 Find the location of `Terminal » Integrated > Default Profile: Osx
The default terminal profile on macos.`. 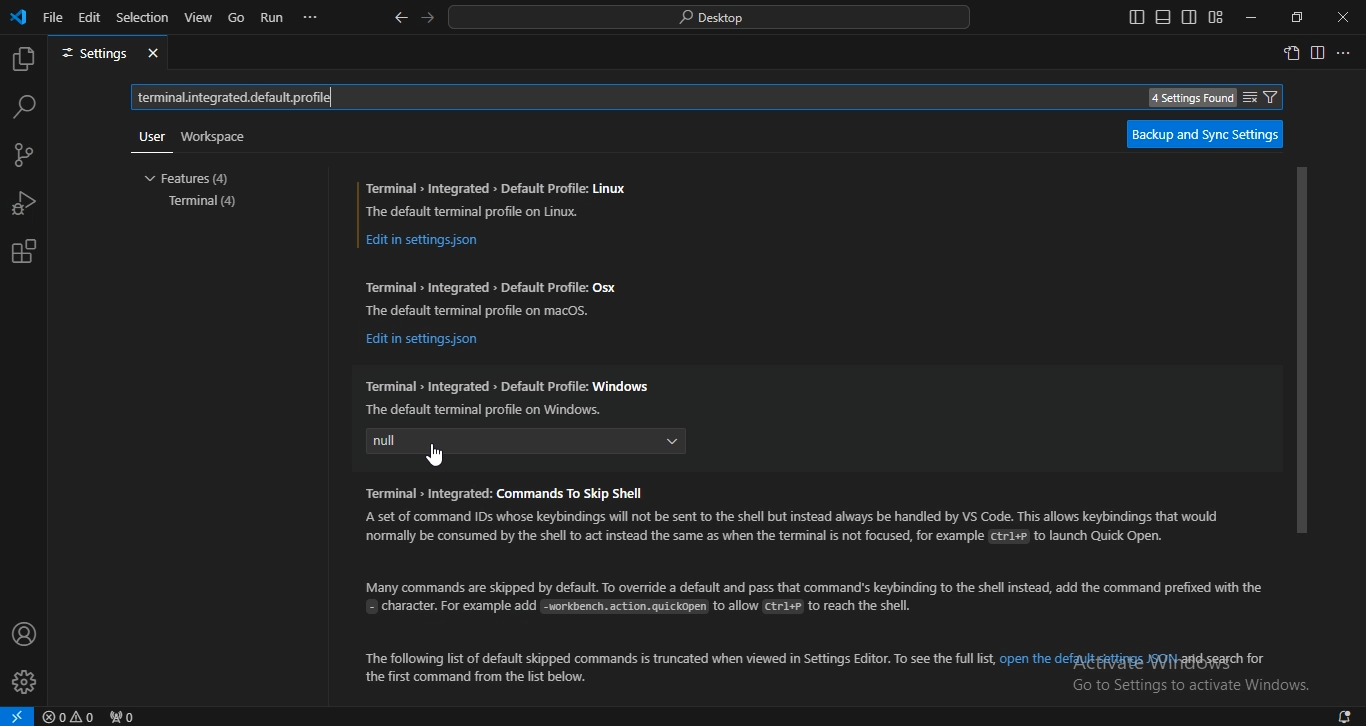

Terminal » Integrated > Default Profile: Osx
The default terminal profile on macos. is located at coordinates (496, 294).